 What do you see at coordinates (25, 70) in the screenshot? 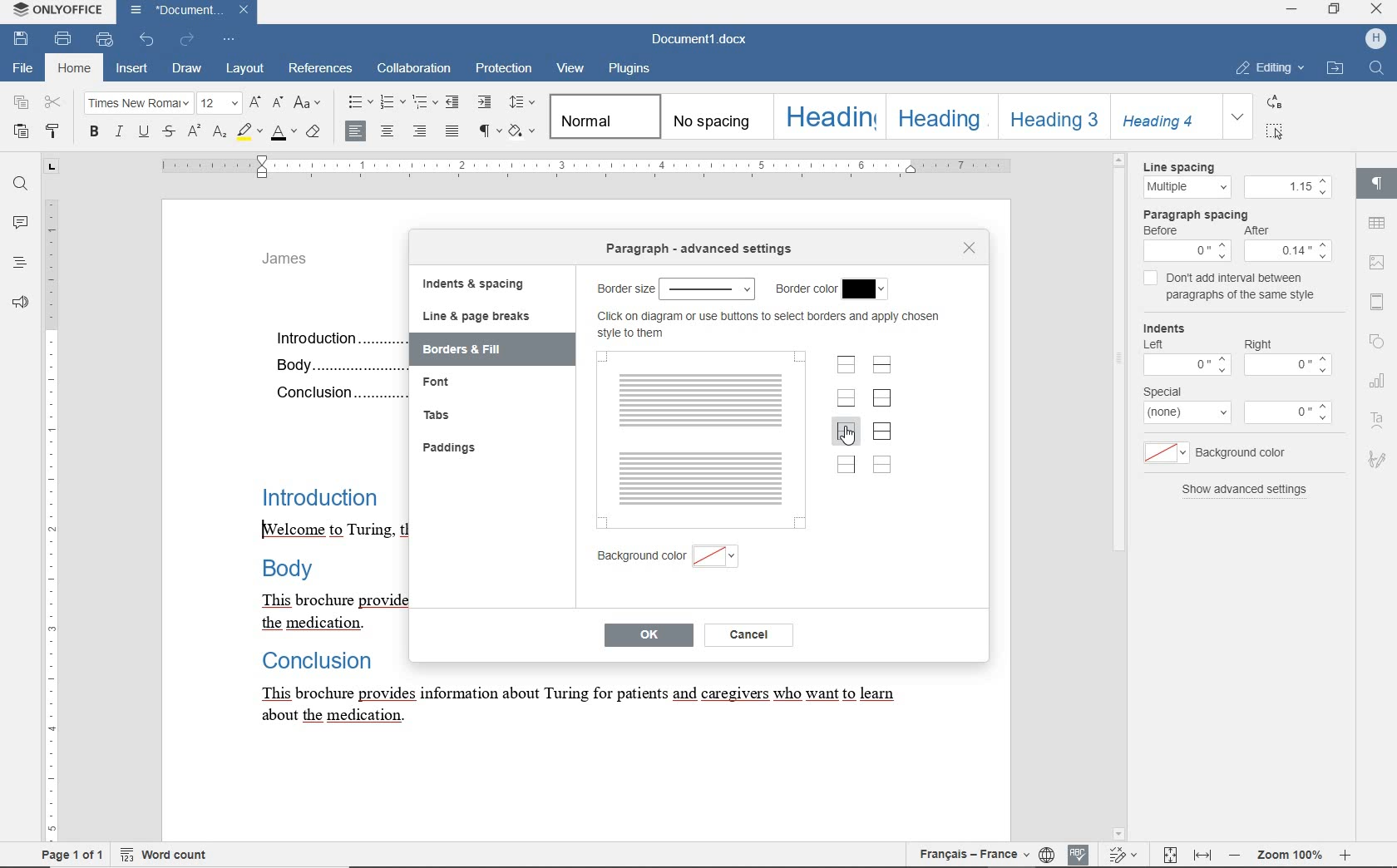
I see `file` at bounding box center [25, 70].